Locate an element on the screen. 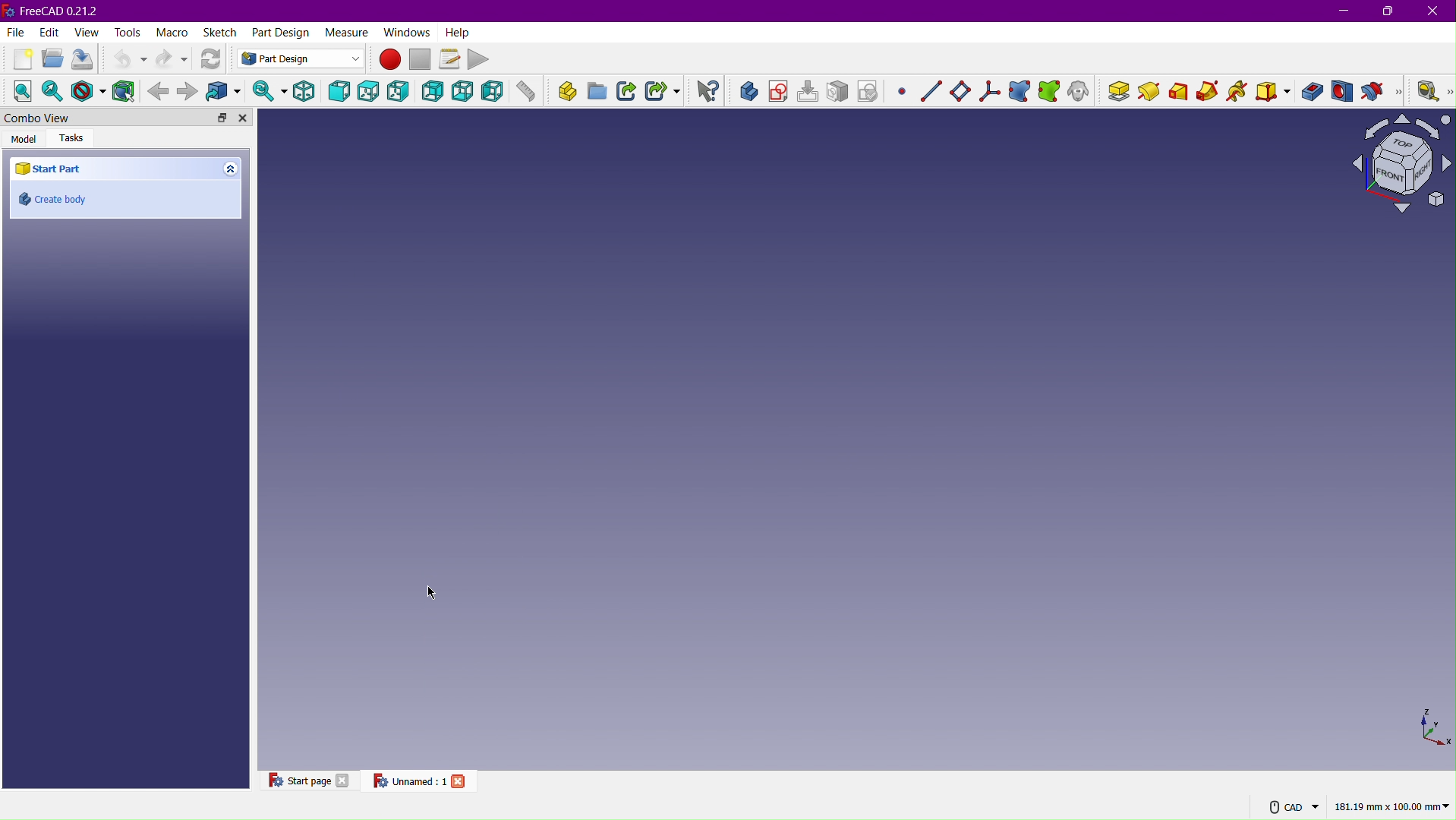  Measure distance is located at coordinates (530, 93).